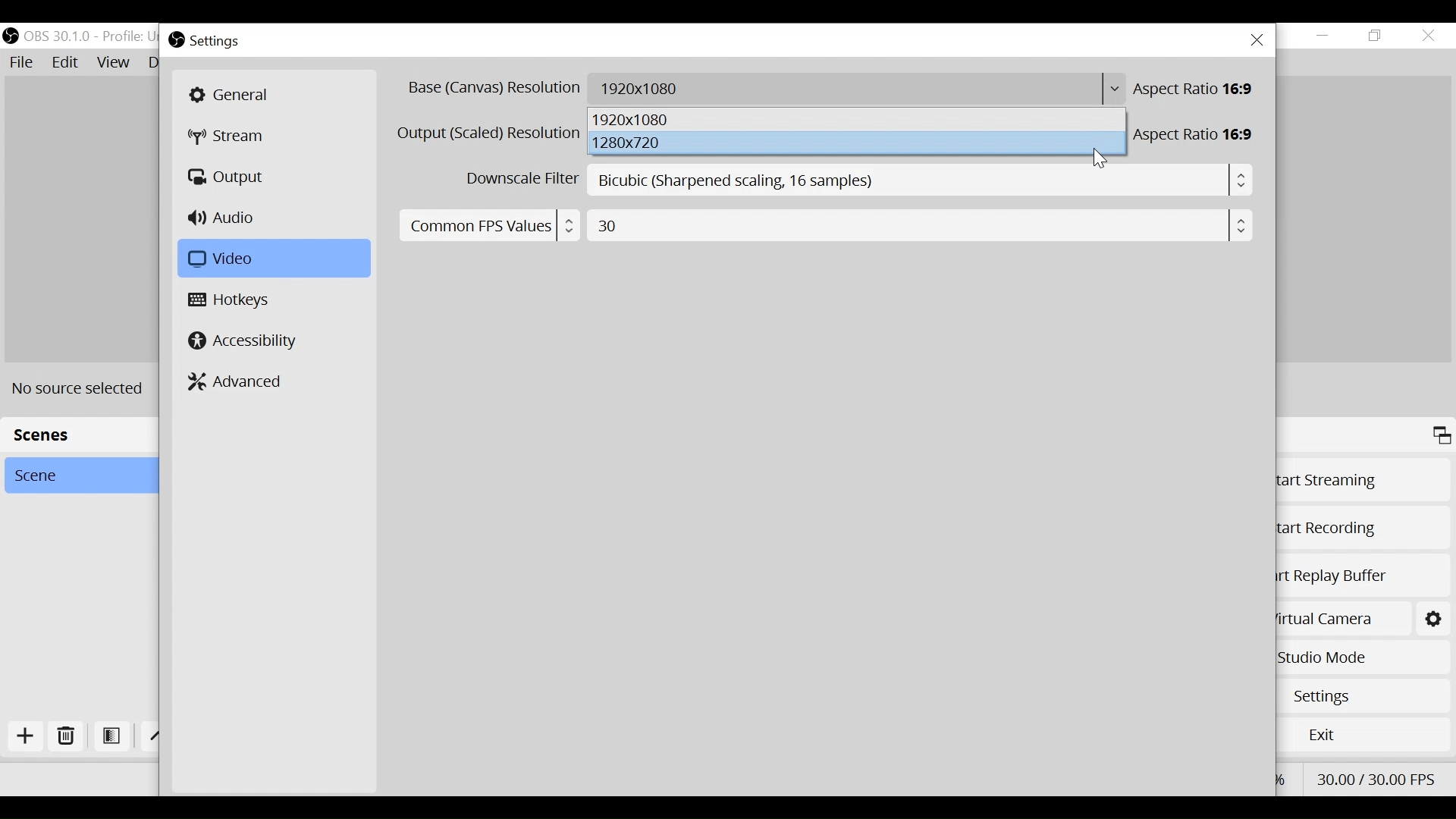 The image size is (1456, 819). What do you see at coordinates (1428, 35) in the screenshot?
I see `Close` at bounding box center [1428, 35].